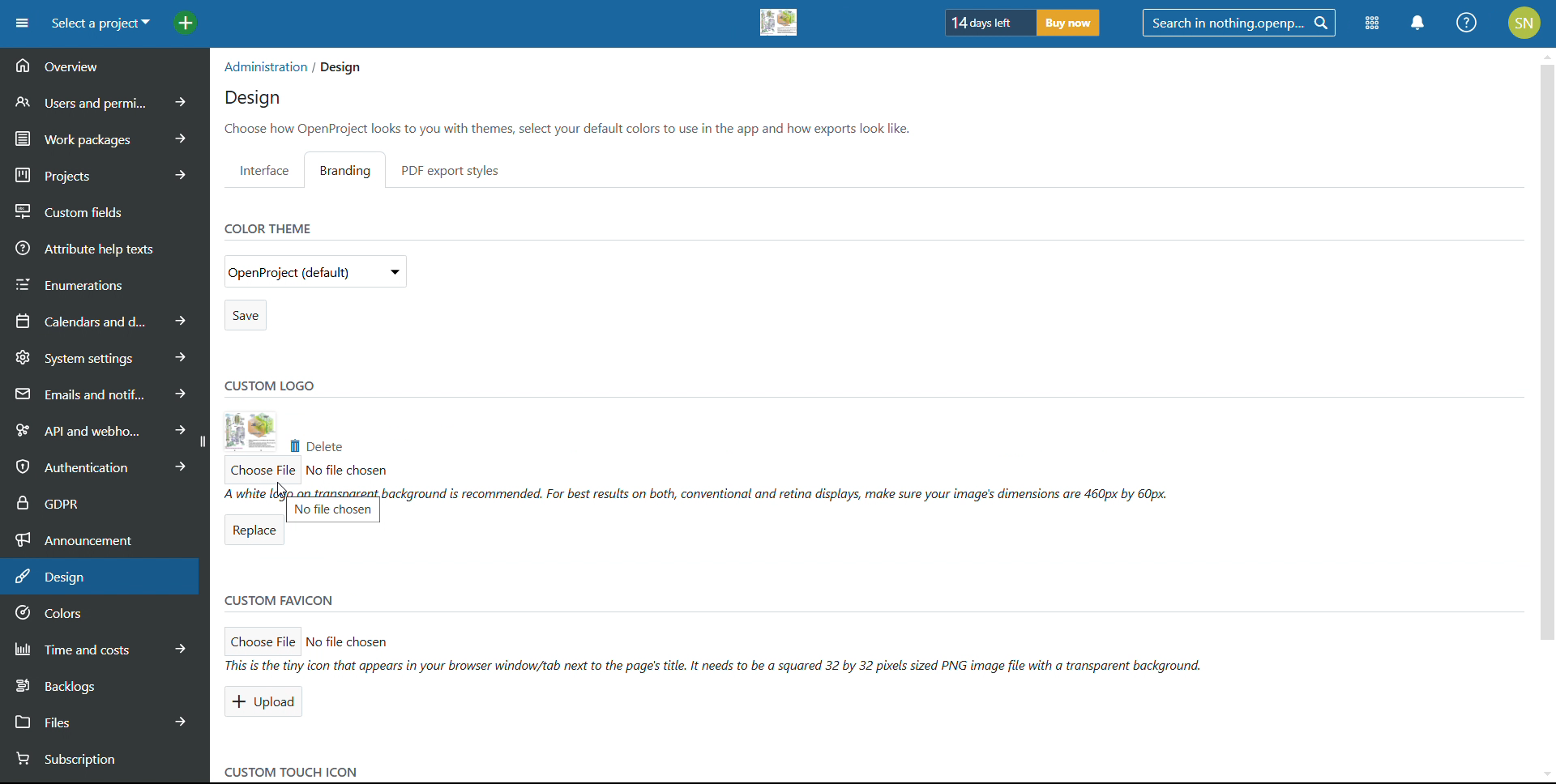 The width and height of the screenshot is (1556, 784). Describe the element at coordinates (986, 22) in the screenshot. I see `days left of trial` at that location.